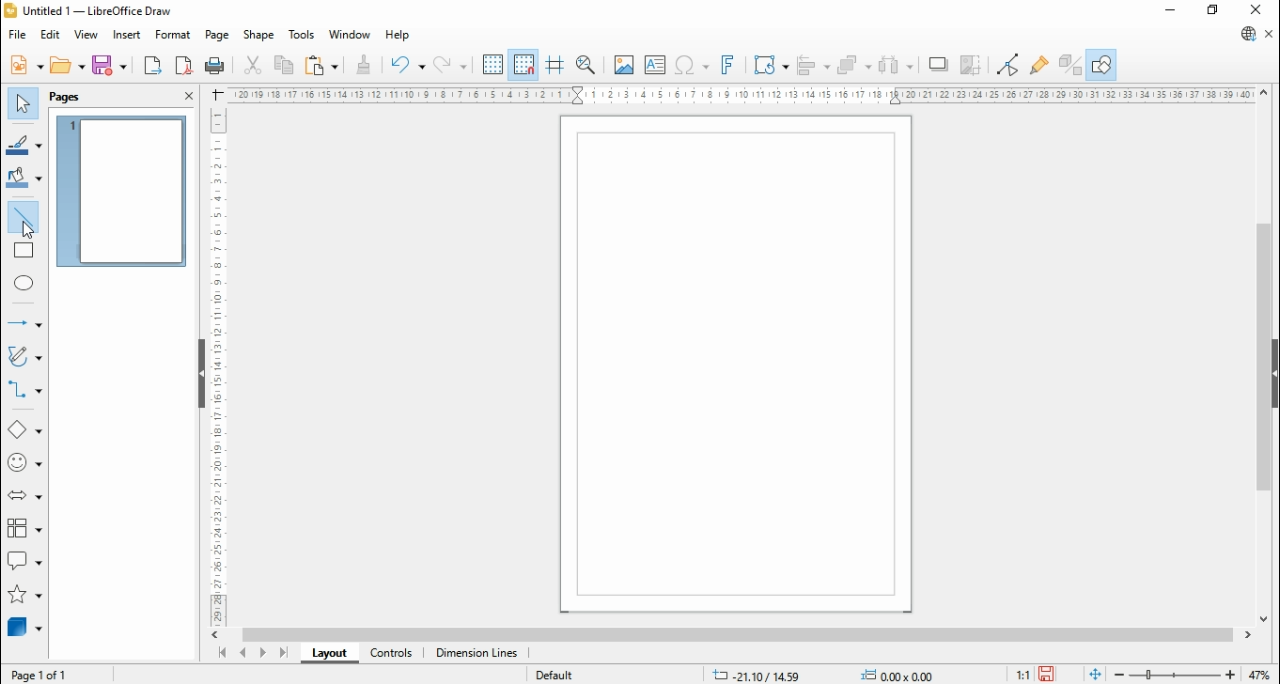 The image size is (1280, 684). Describe the element at coordinates (24, 145) in the screenshot. I see `line color` at that location.